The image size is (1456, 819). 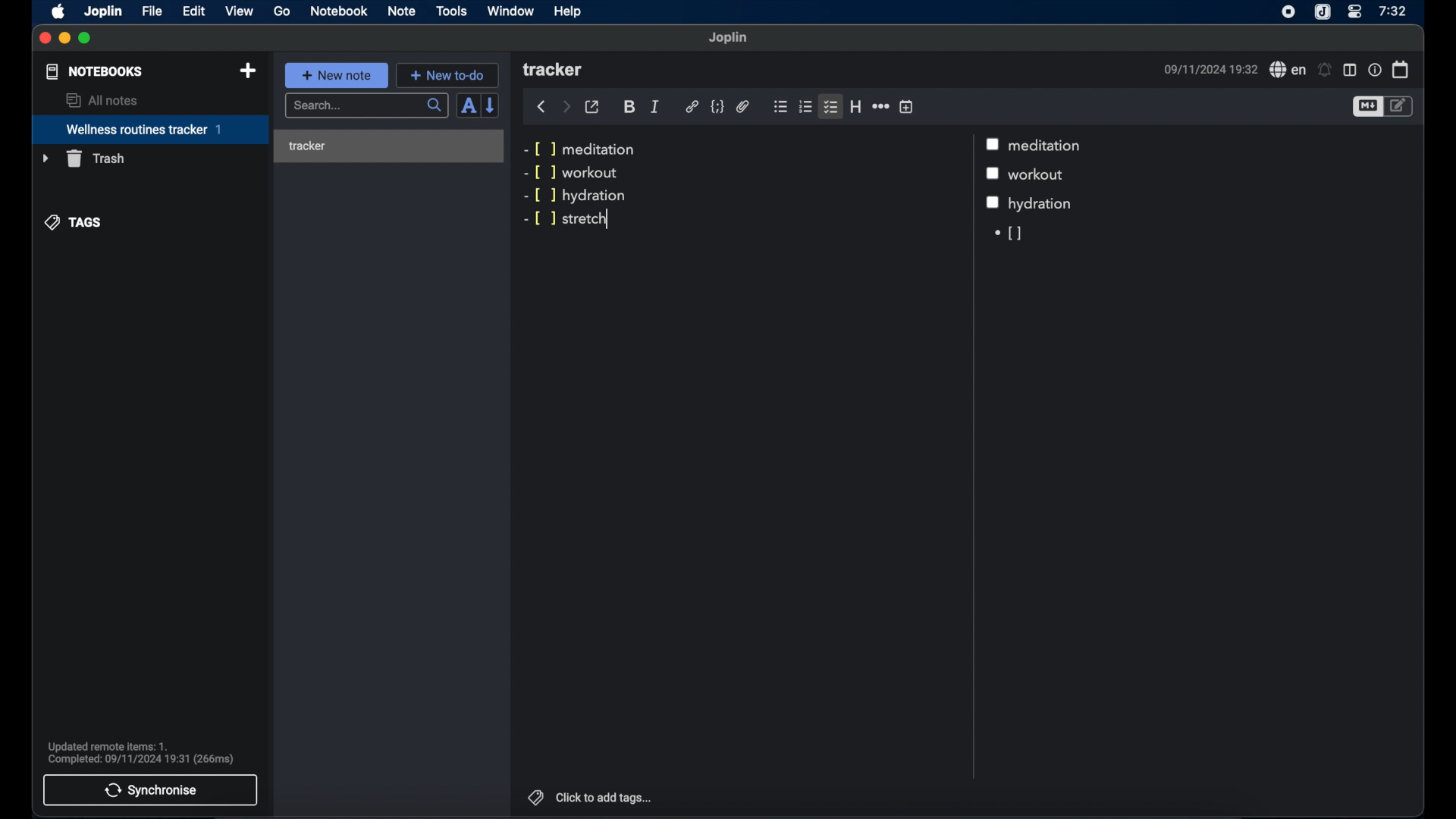 I want to click on click to add tags, so click(x=605, y=797).